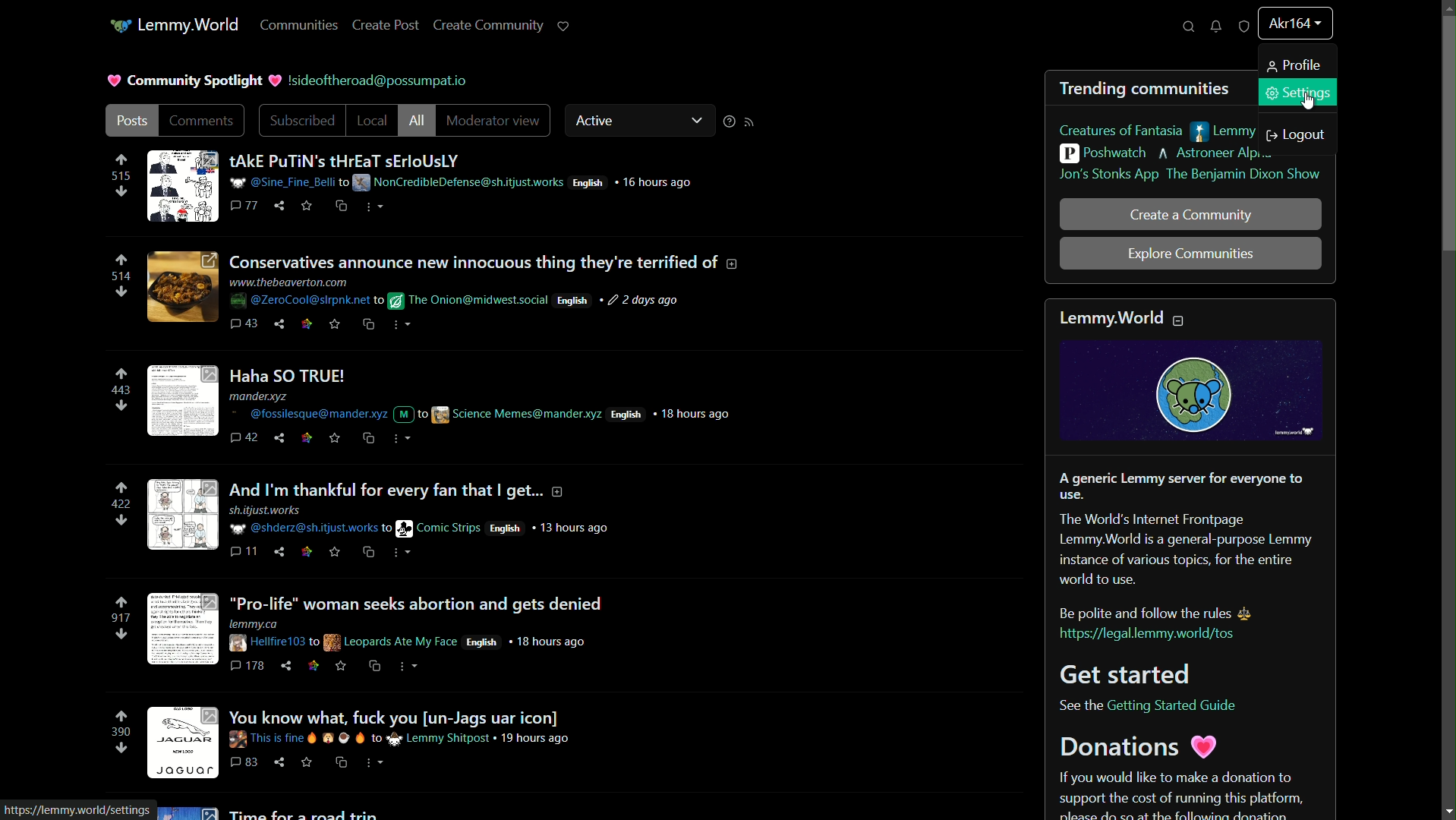 The image size is (1456, 820). What do you see at coordinates (121, 261) in the screenshot?
I see `upvote` at bounding box center [121, 261].